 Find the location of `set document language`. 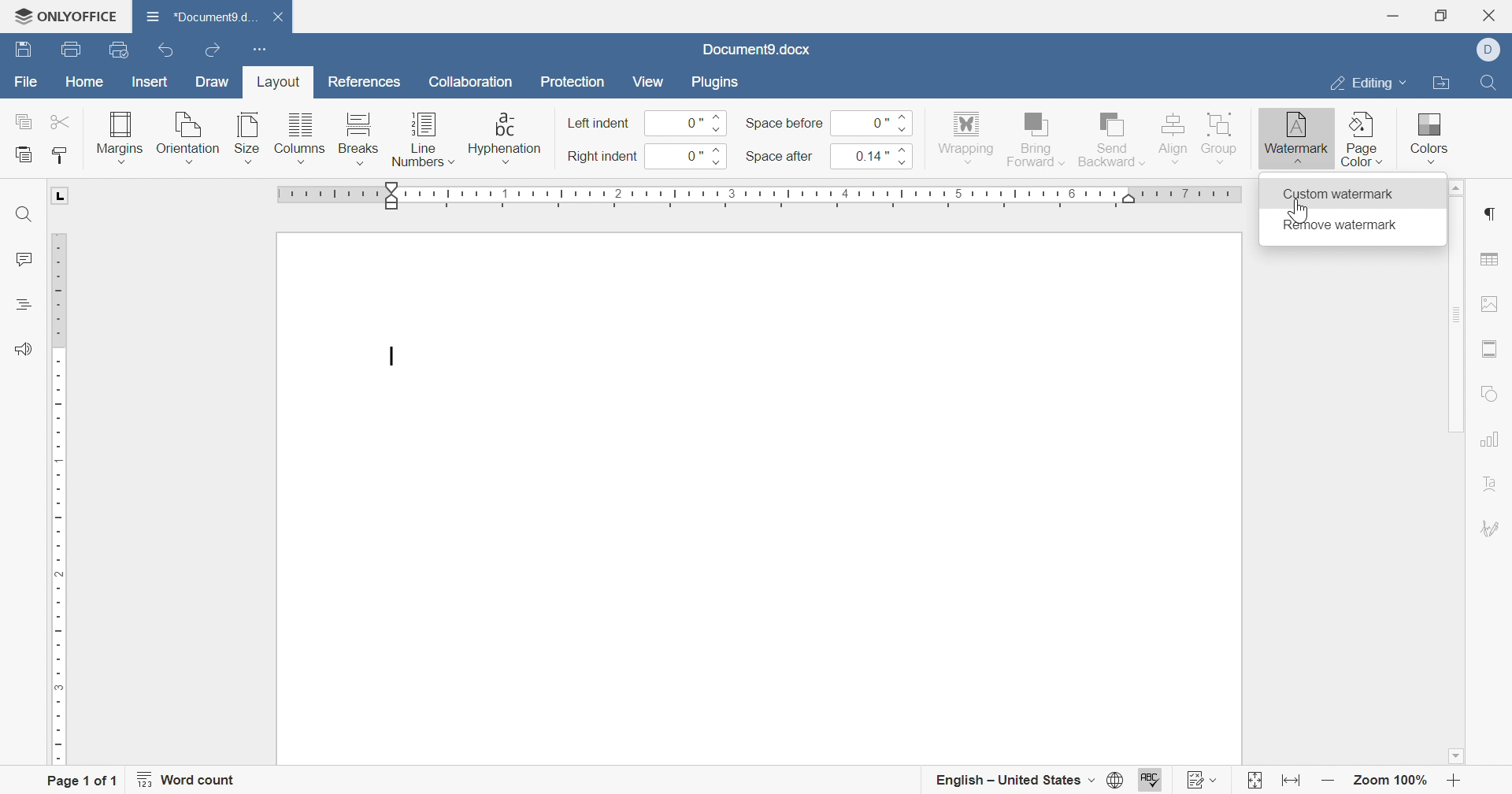

set document language is located at coordinates (1121, 780).